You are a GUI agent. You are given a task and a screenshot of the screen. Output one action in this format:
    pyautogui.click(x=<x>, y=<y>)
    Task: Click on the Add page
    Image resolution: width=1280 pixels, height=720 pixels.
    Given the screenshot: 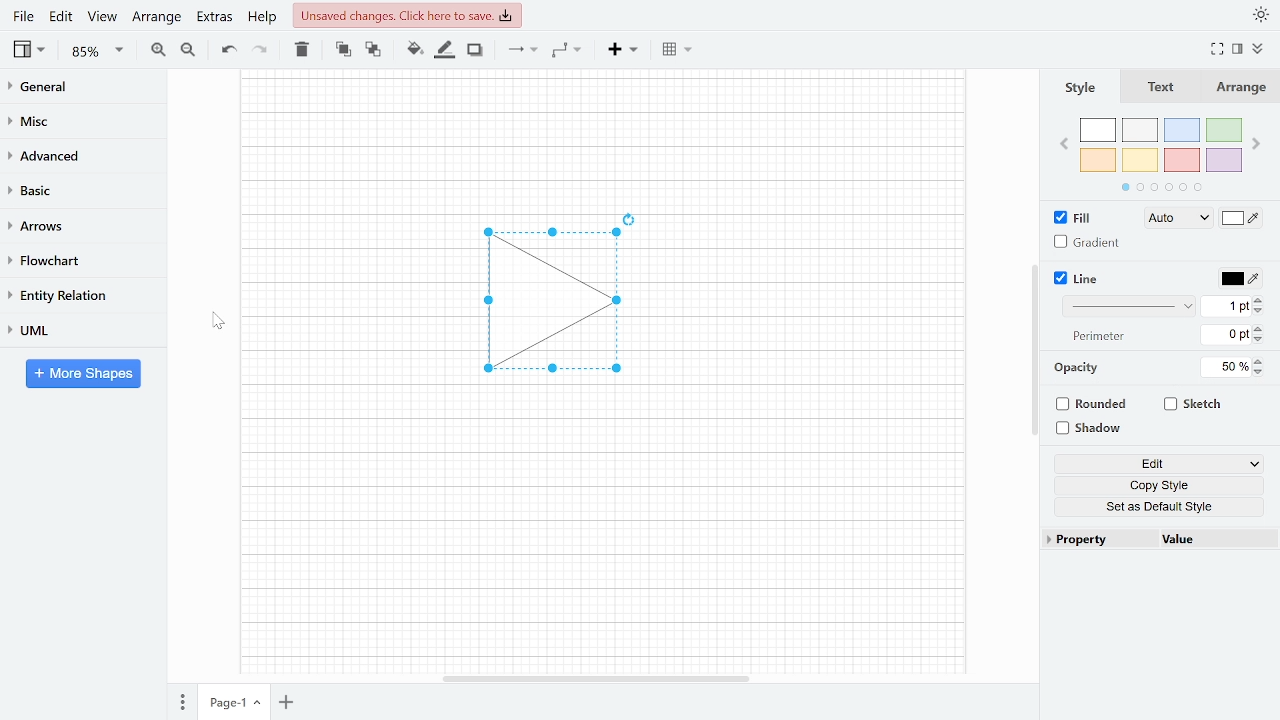 What is the action you would take?
    pyautogui.click(x=290, y=704)
    